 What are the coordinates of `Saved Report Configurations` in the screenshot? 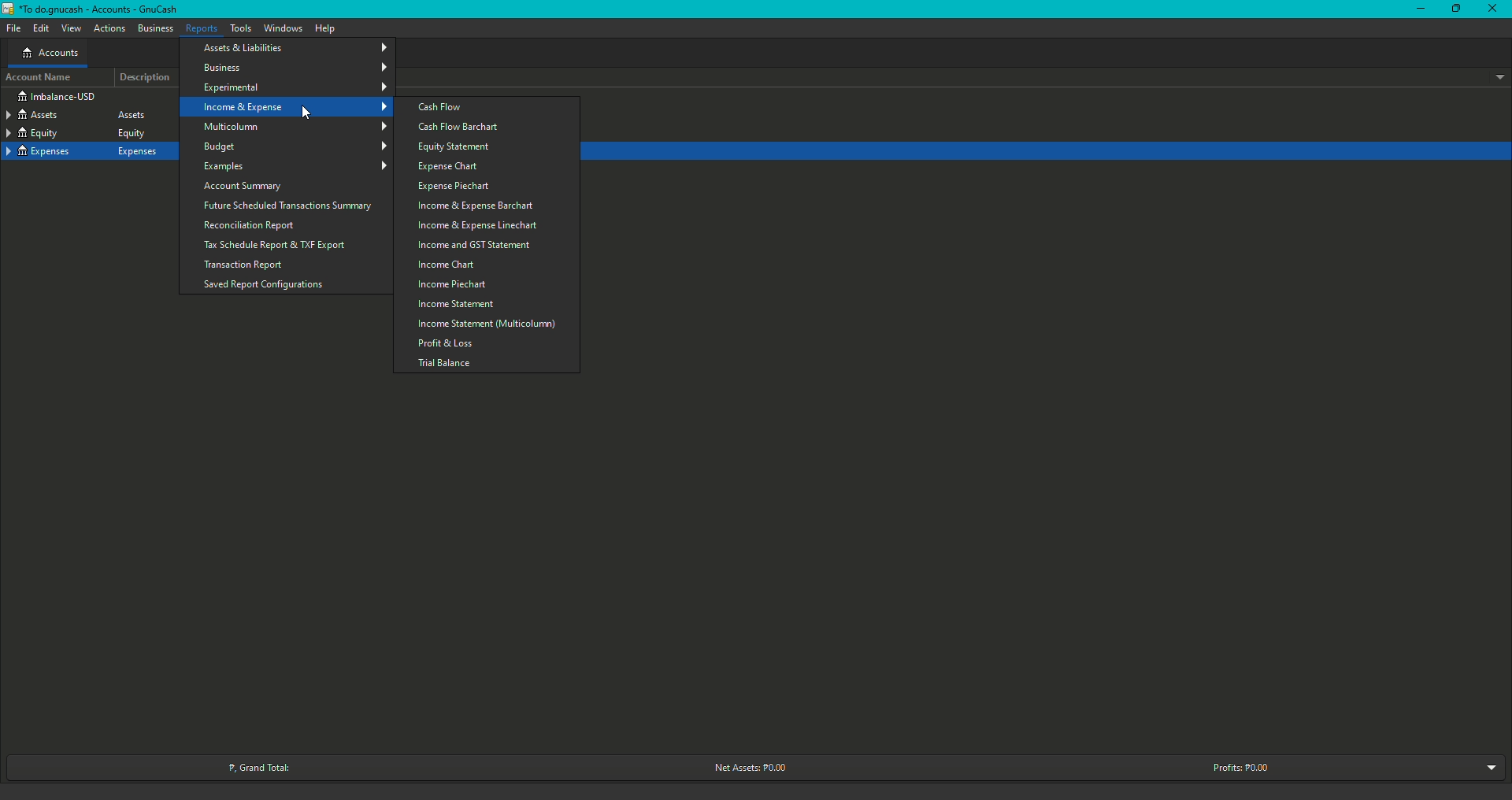 It's located at (265, 283).